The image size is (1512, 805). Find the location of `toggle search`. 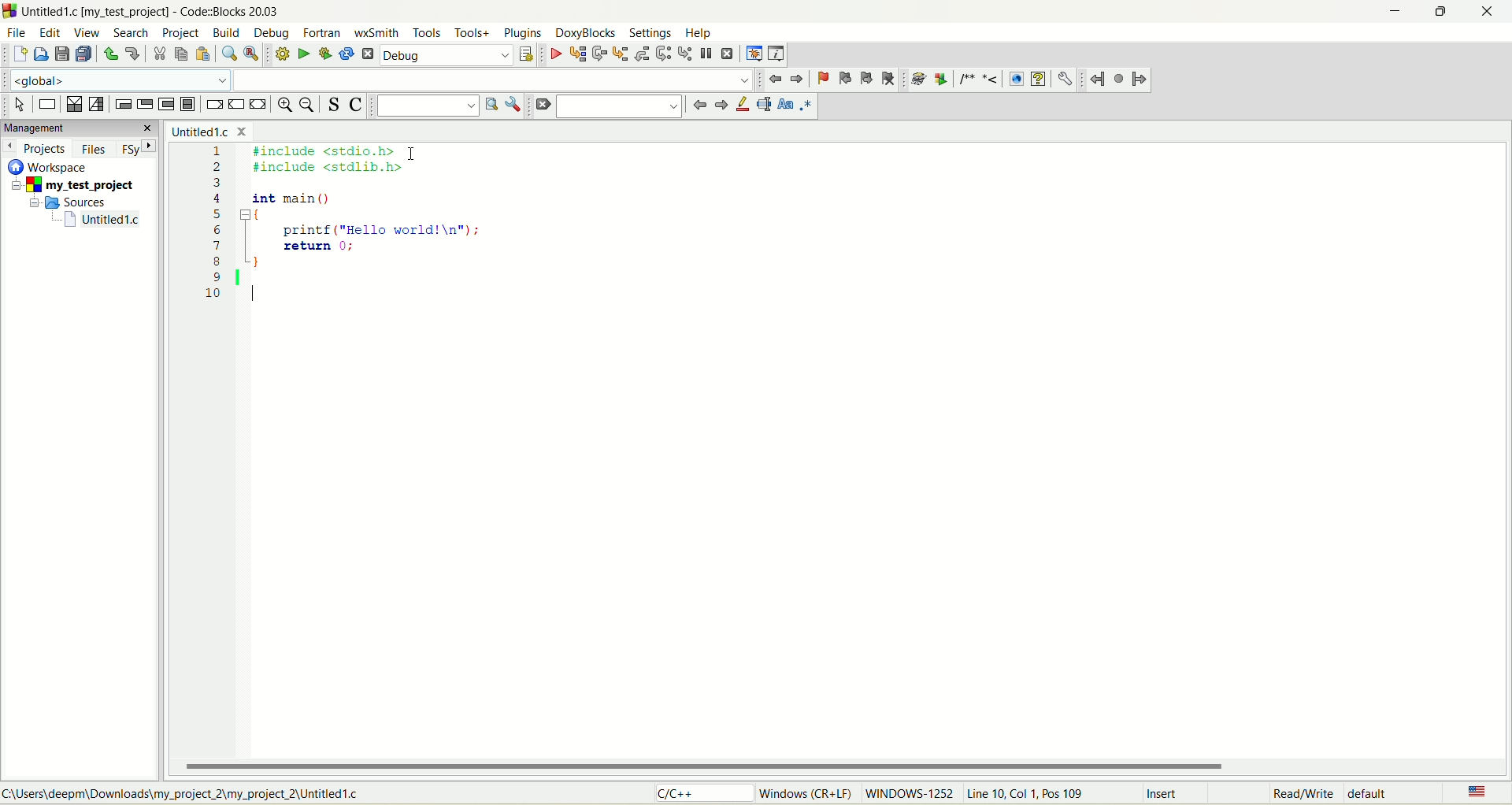

toggle search is located at coordinates (335, 105).